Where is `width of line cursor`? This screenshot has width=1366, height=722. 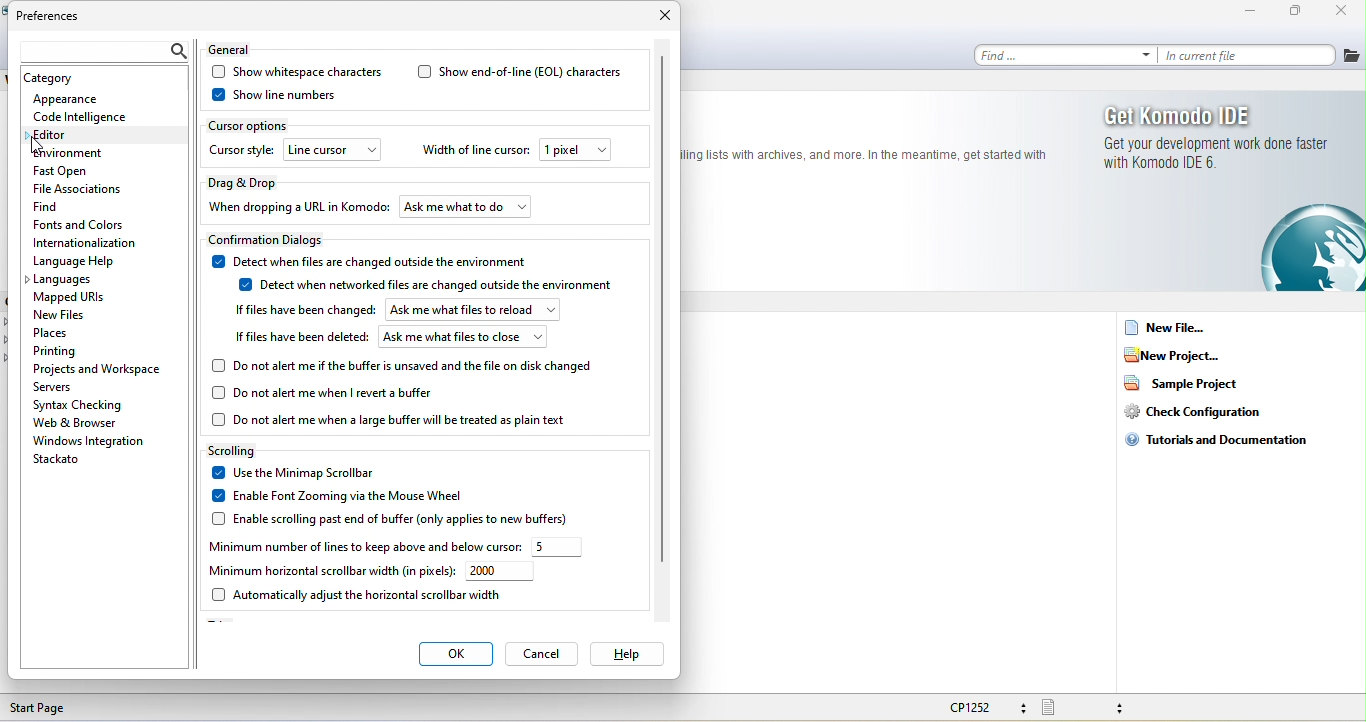 width of line cursor is located at coordinates (474, 152).